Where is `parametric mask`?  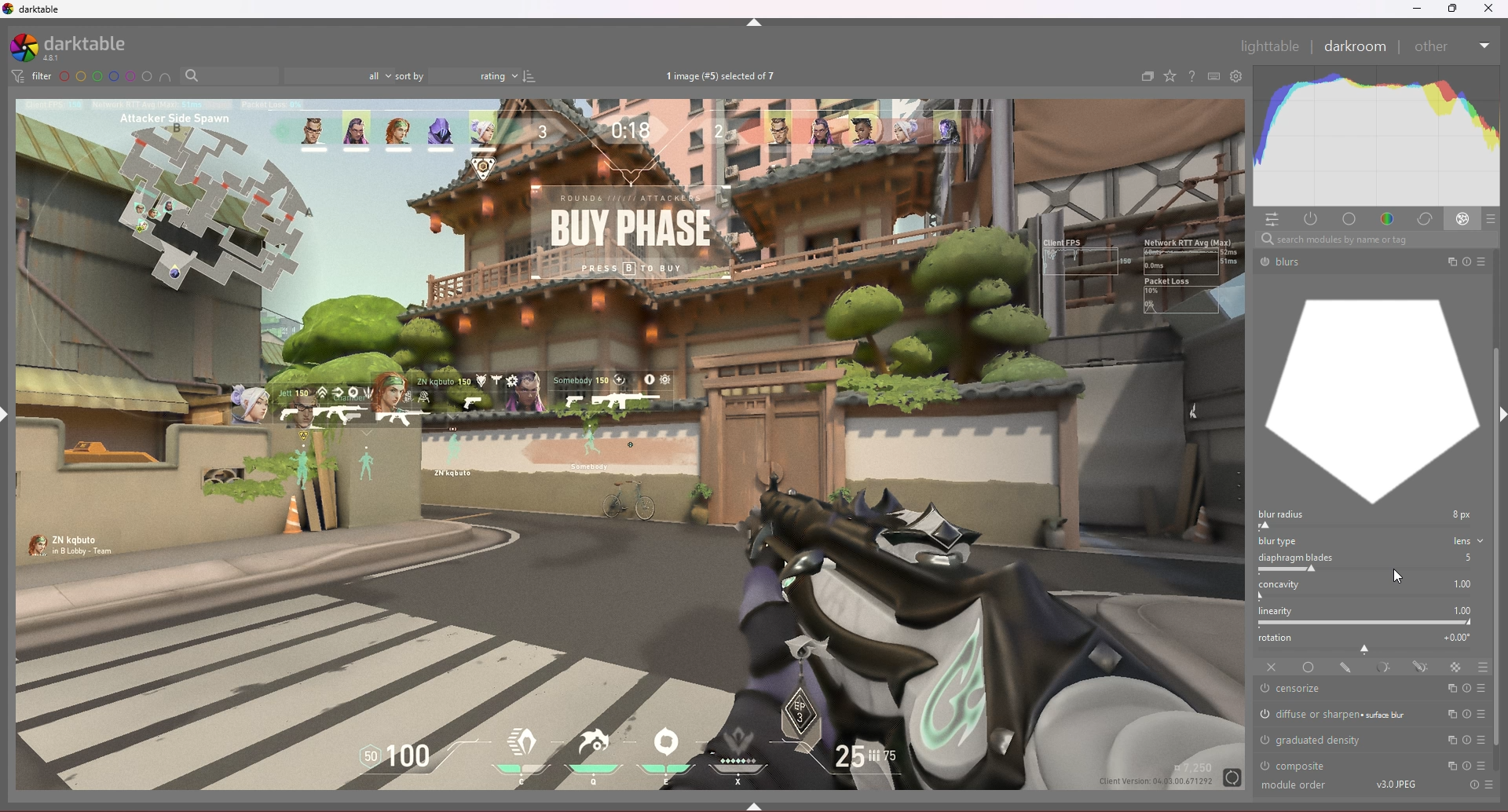 parametric mask is located at coordinates (1385, 668).